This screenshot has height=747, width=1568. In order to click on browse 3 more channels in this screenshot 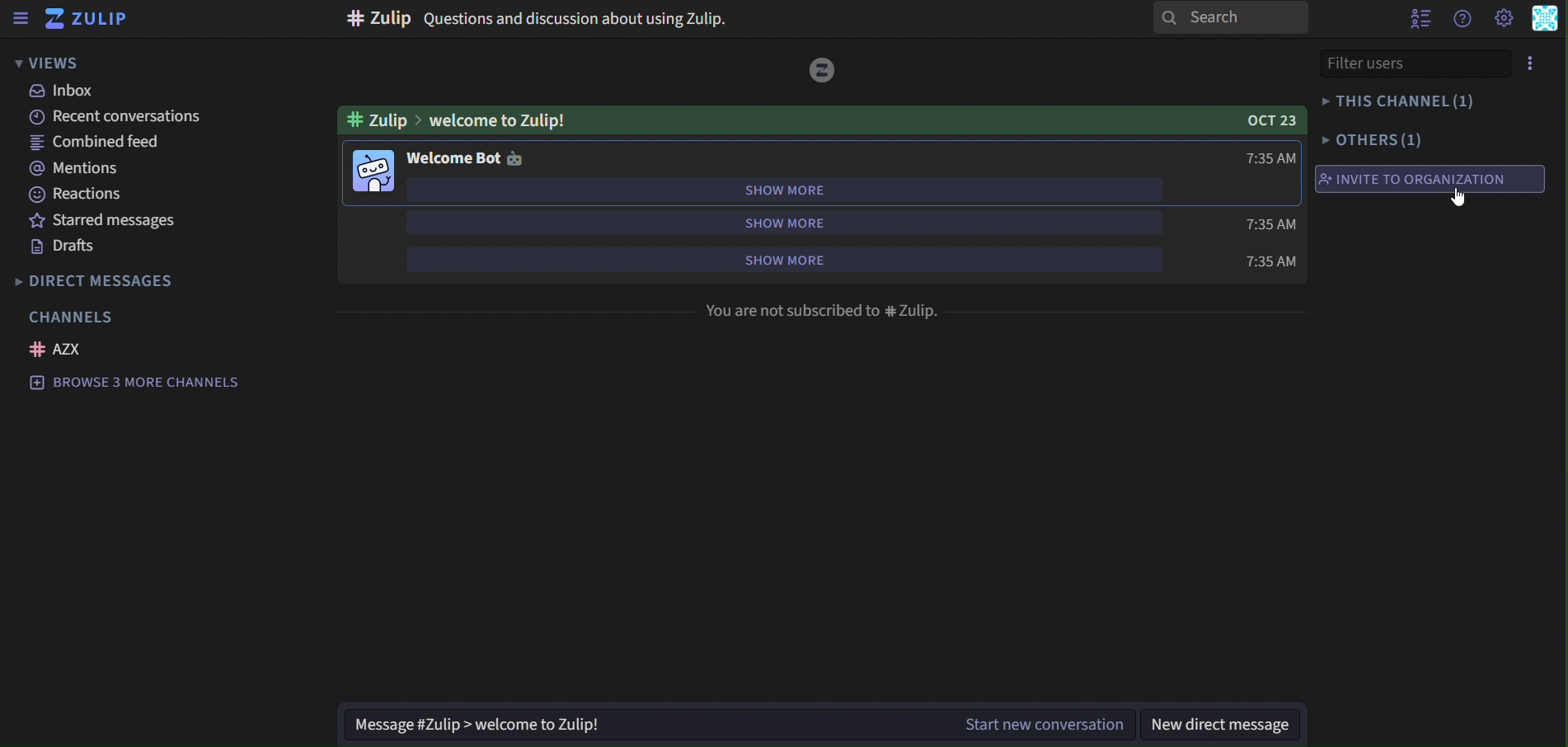, I will do `click(153, 382)`.